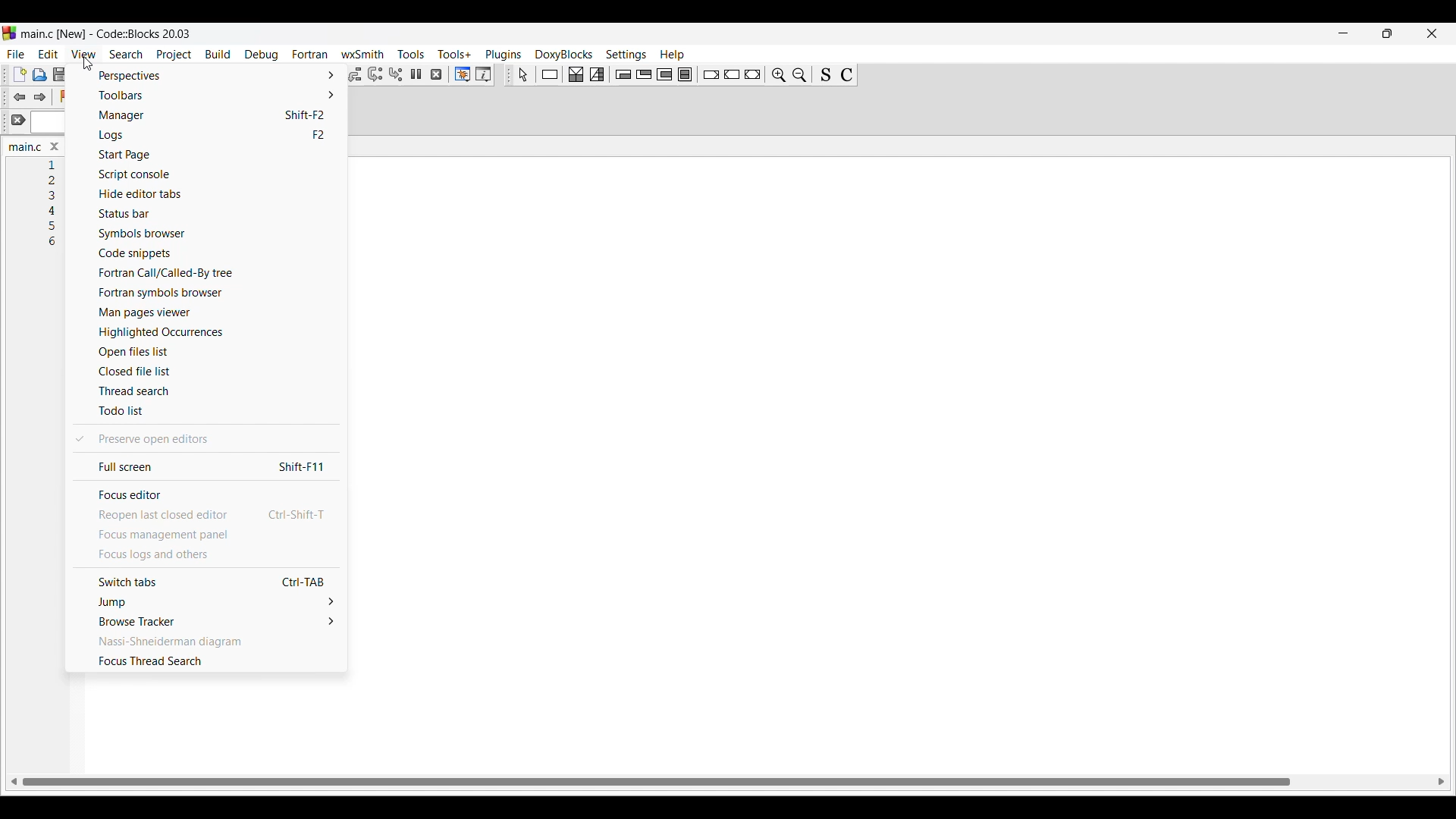  Describe the element at coordinates (208, 95) in the screenshot. I see `Toolbars menu` at that location.